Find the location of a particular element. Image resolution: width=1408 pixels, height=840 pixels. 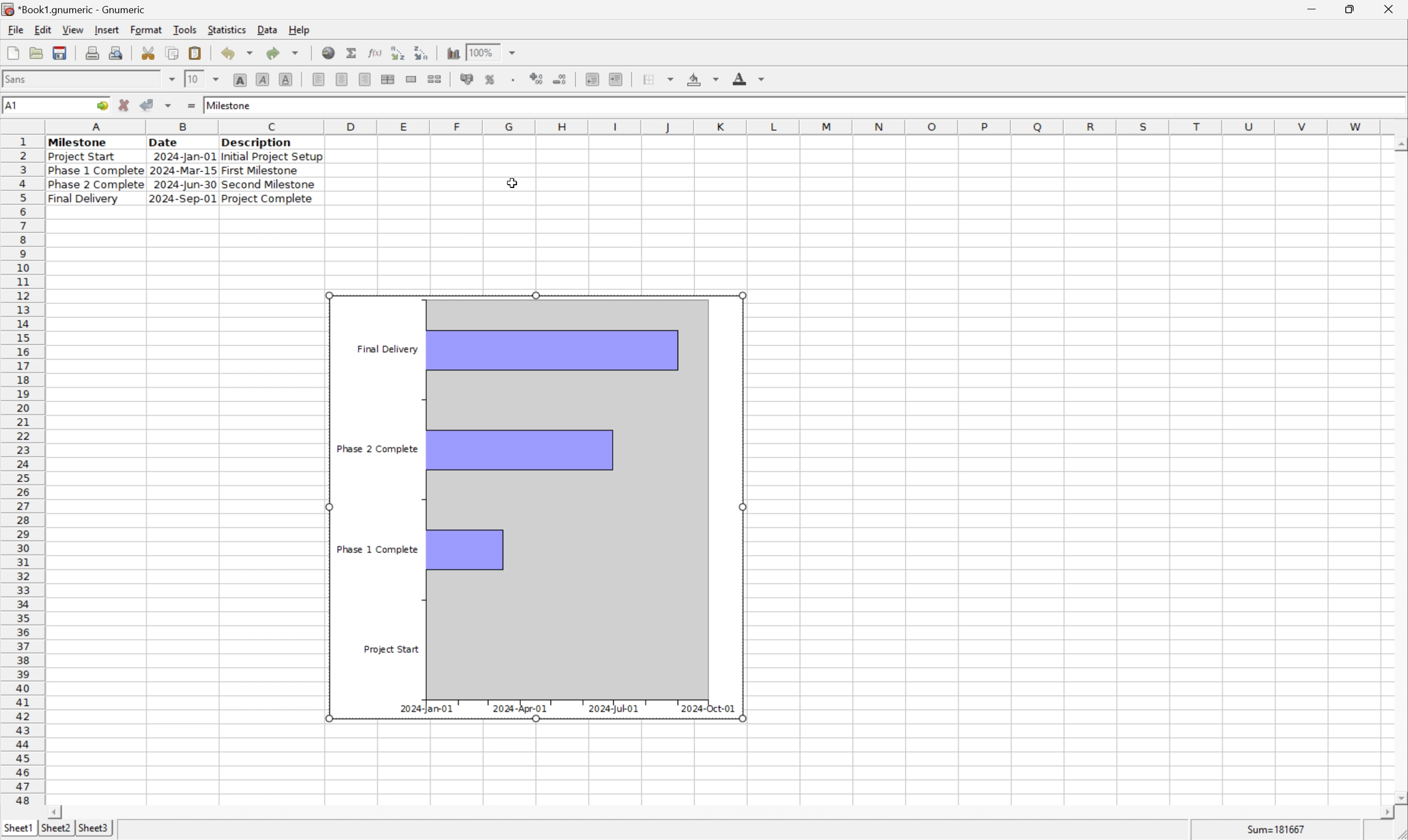

undo is located at coordinates (240, 54).